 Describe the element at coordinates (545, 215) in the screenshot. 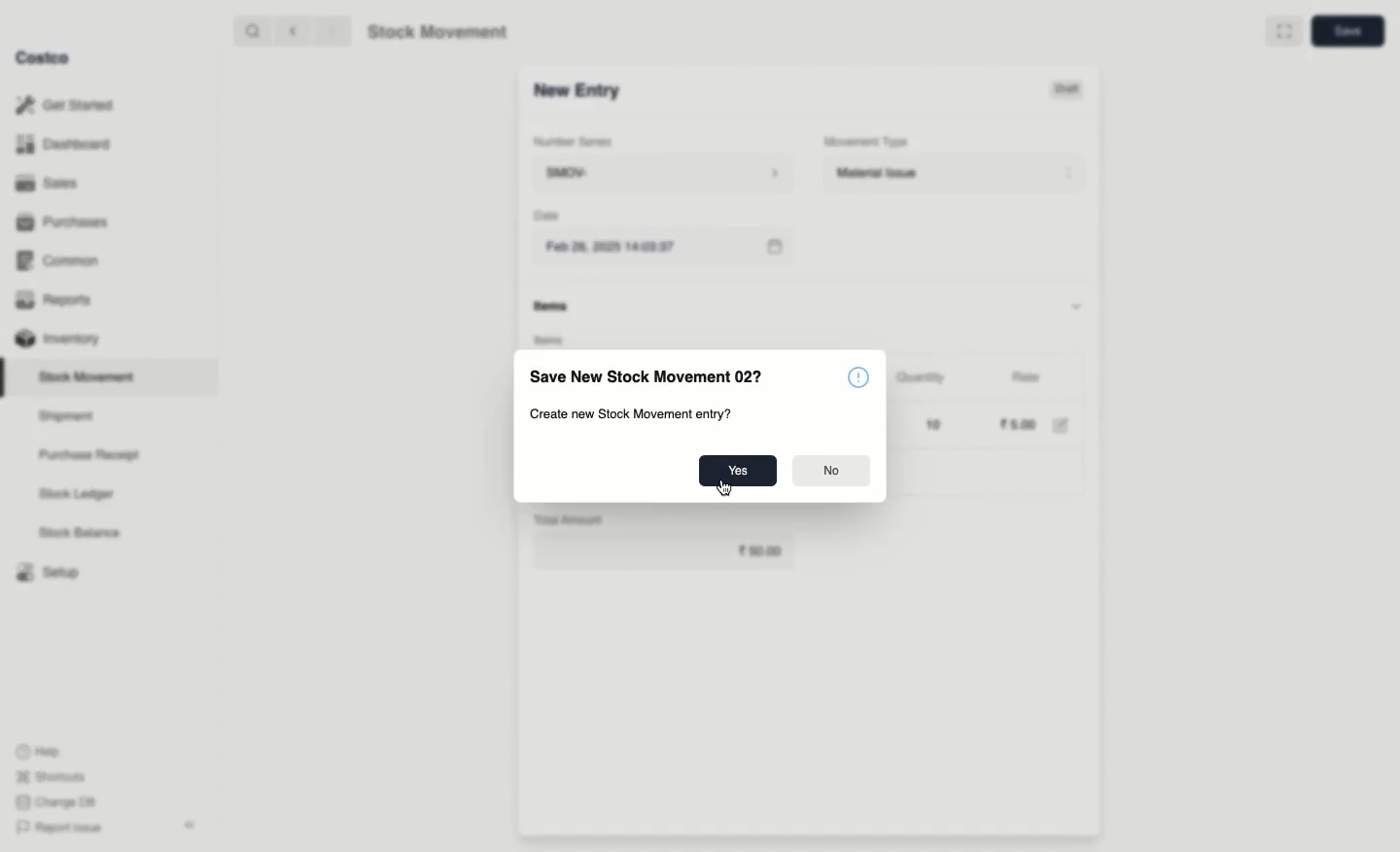

I see `Date` at that location.